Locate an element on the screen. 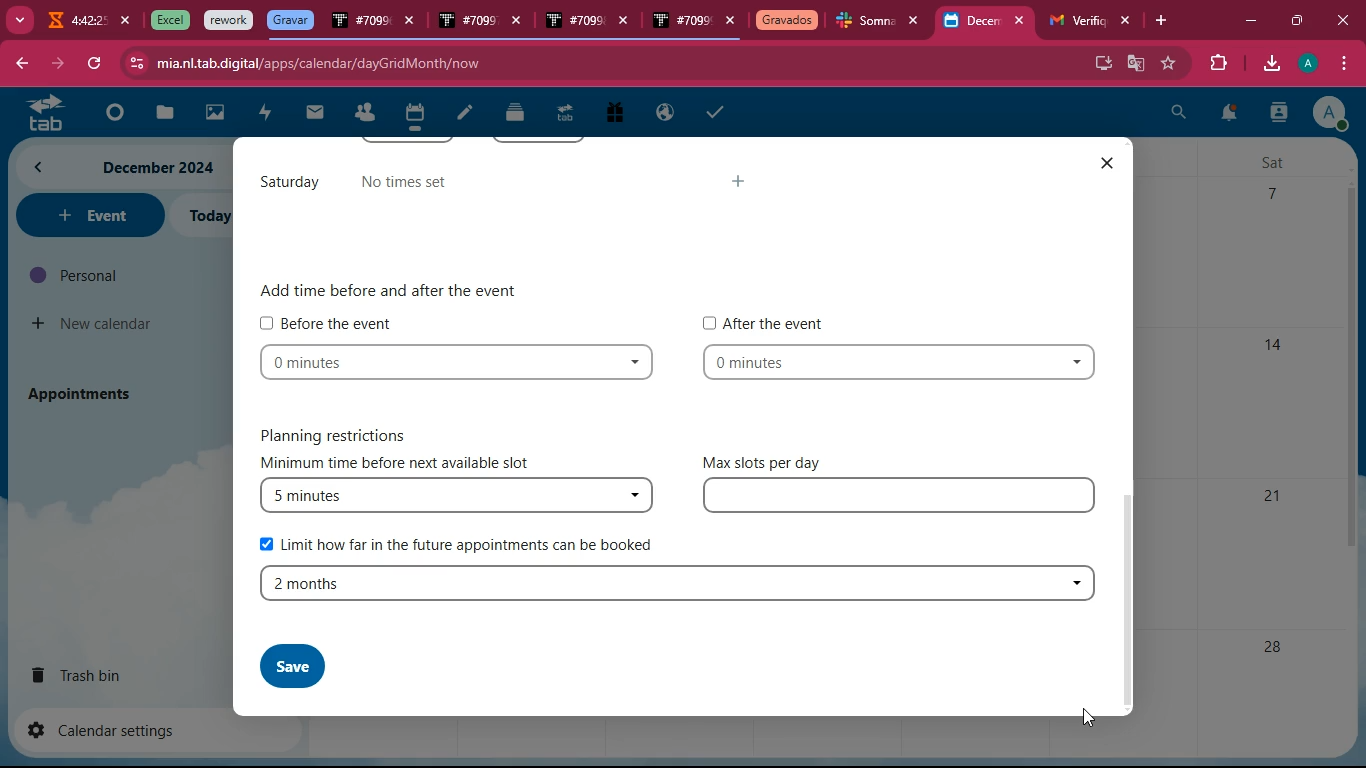  people is located at coordinates (364, 114).